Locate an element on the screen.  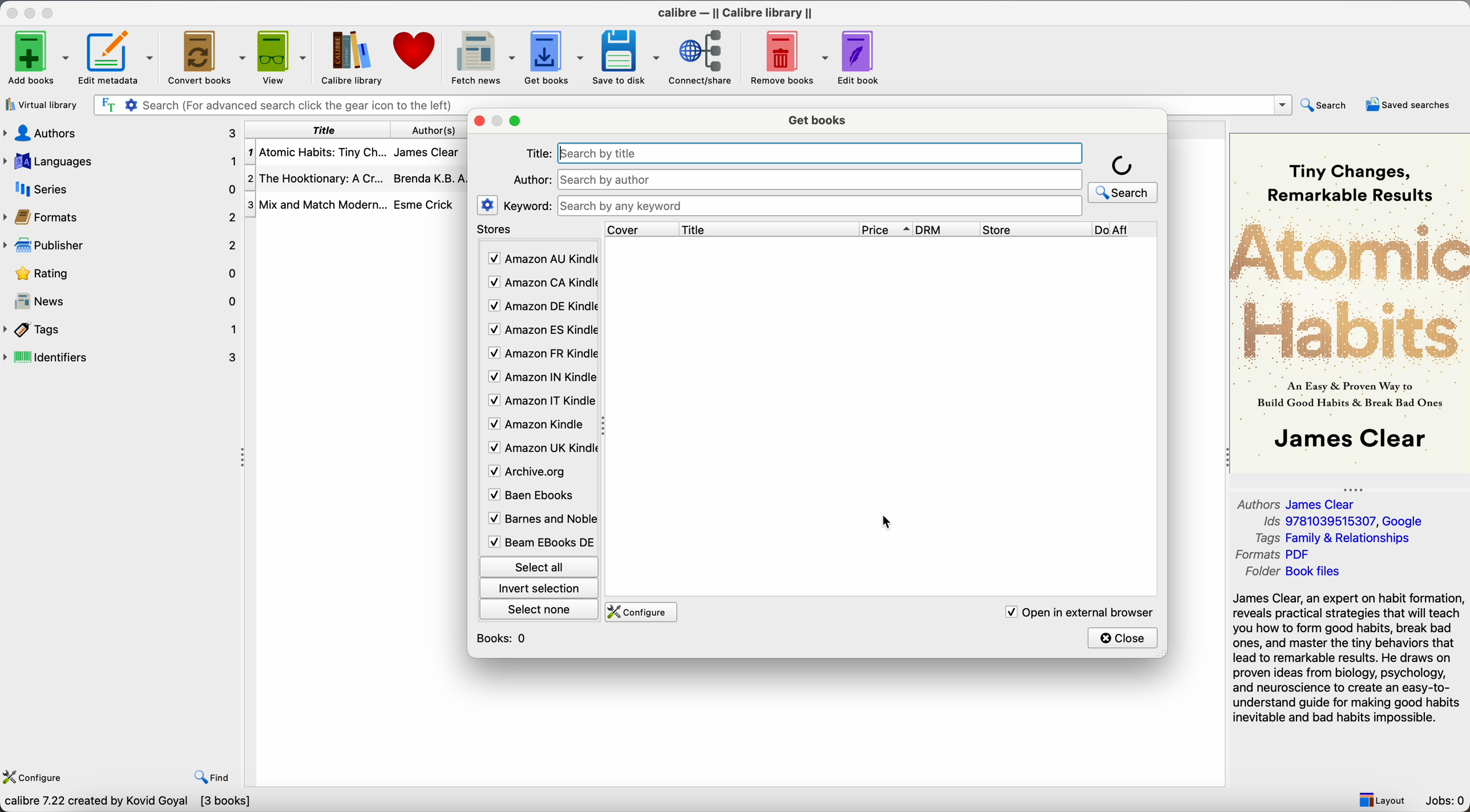
search bar is located at coordinates (822, 152).